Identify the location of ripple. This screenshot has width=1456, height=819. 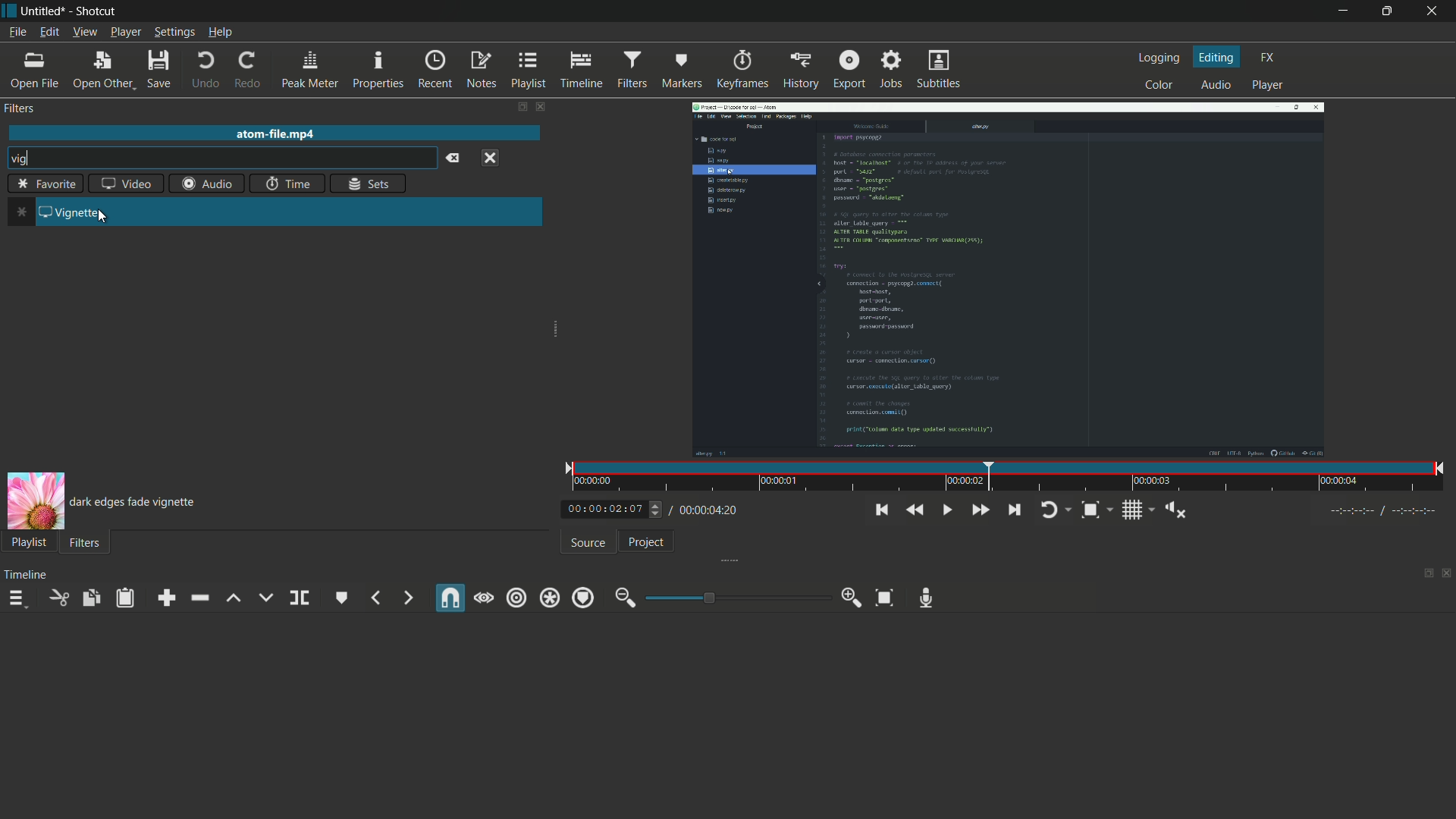
(516, 599).